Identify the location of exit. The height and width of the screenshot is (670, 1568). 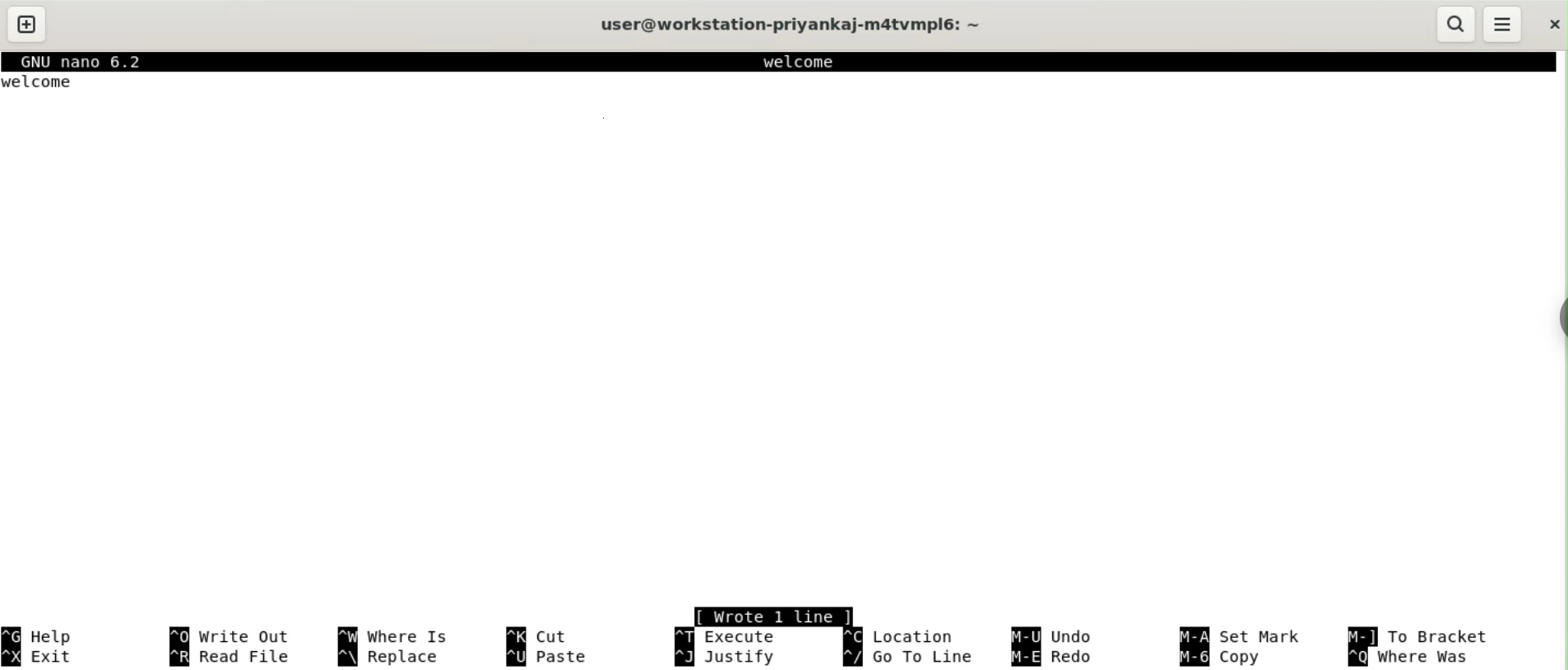
(44, 657).